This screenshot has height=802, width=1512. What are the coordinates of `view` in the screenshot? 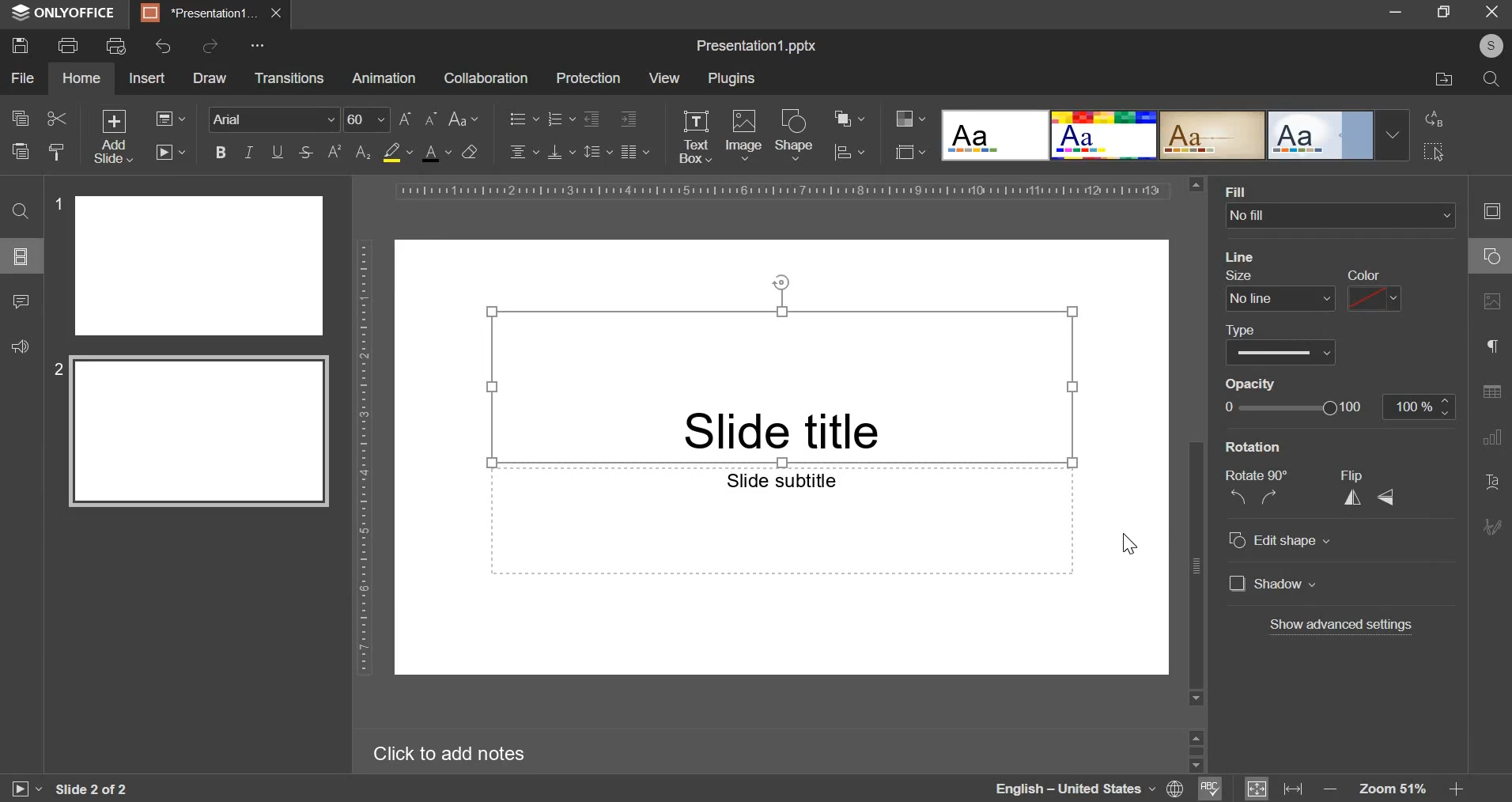 It's located at (663, 78).